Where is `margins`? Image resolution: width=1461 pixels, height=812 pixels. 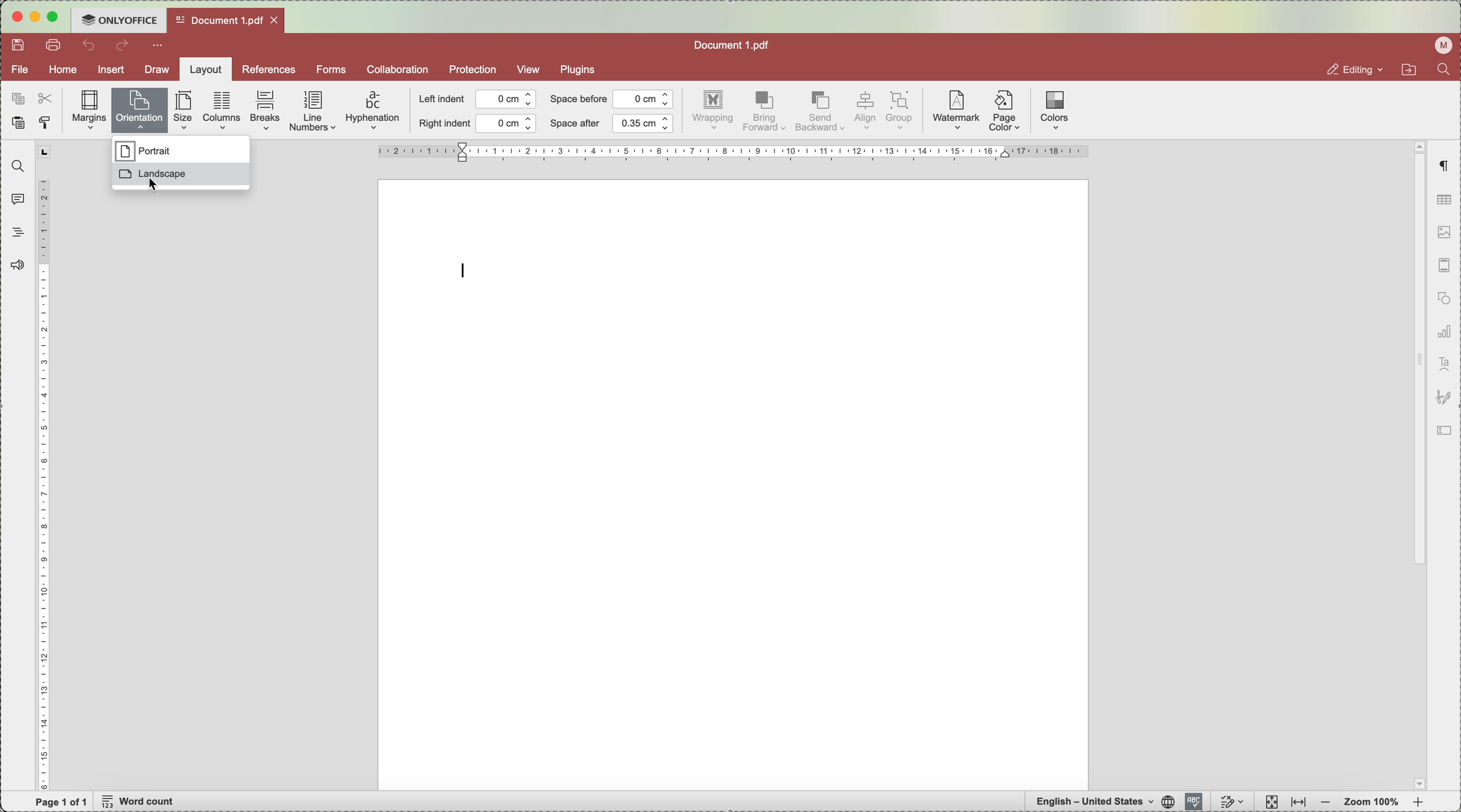 margins is located at coordinates (90, 111).